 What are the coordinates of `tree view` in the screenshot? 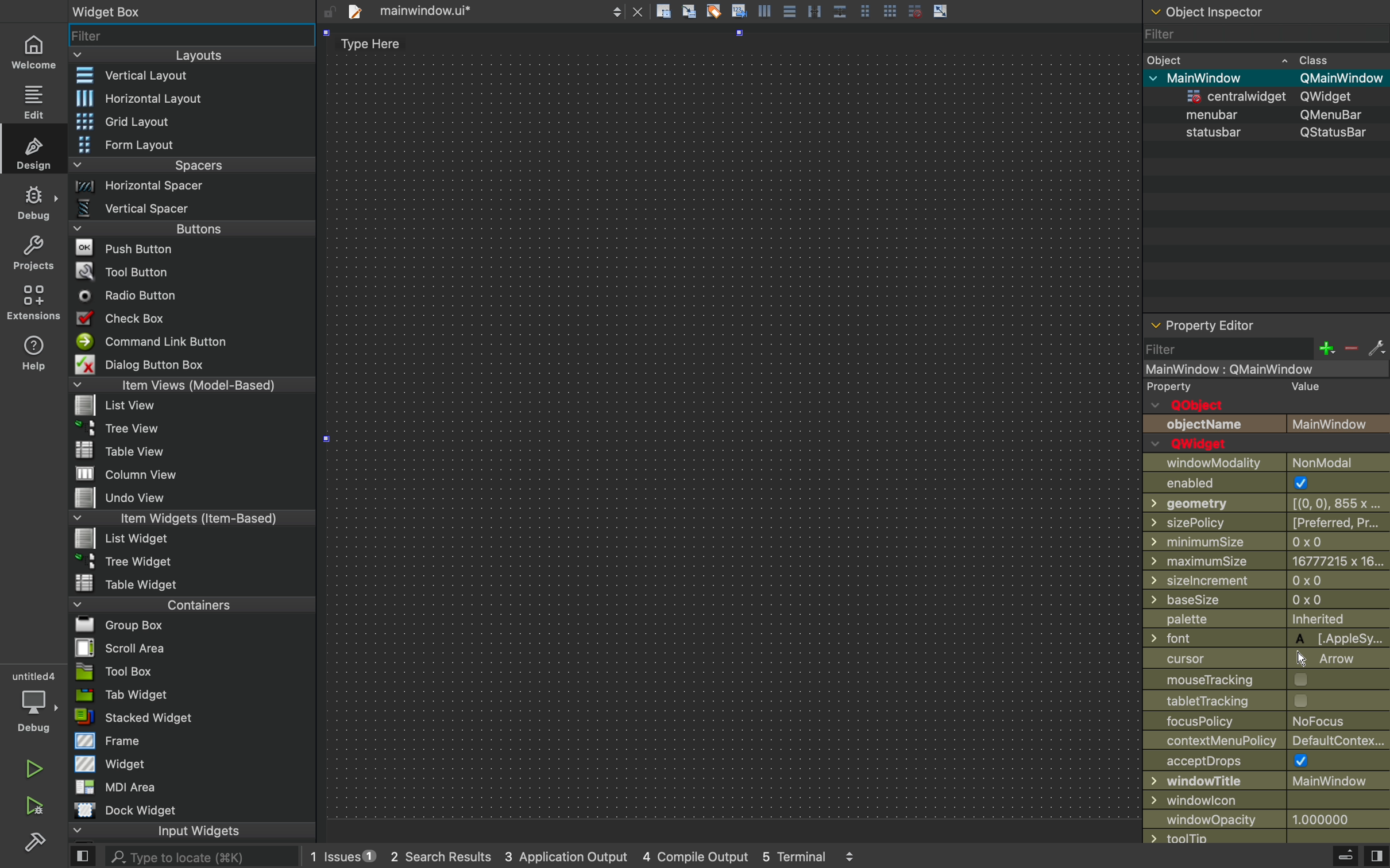 It's located at (190, 427).